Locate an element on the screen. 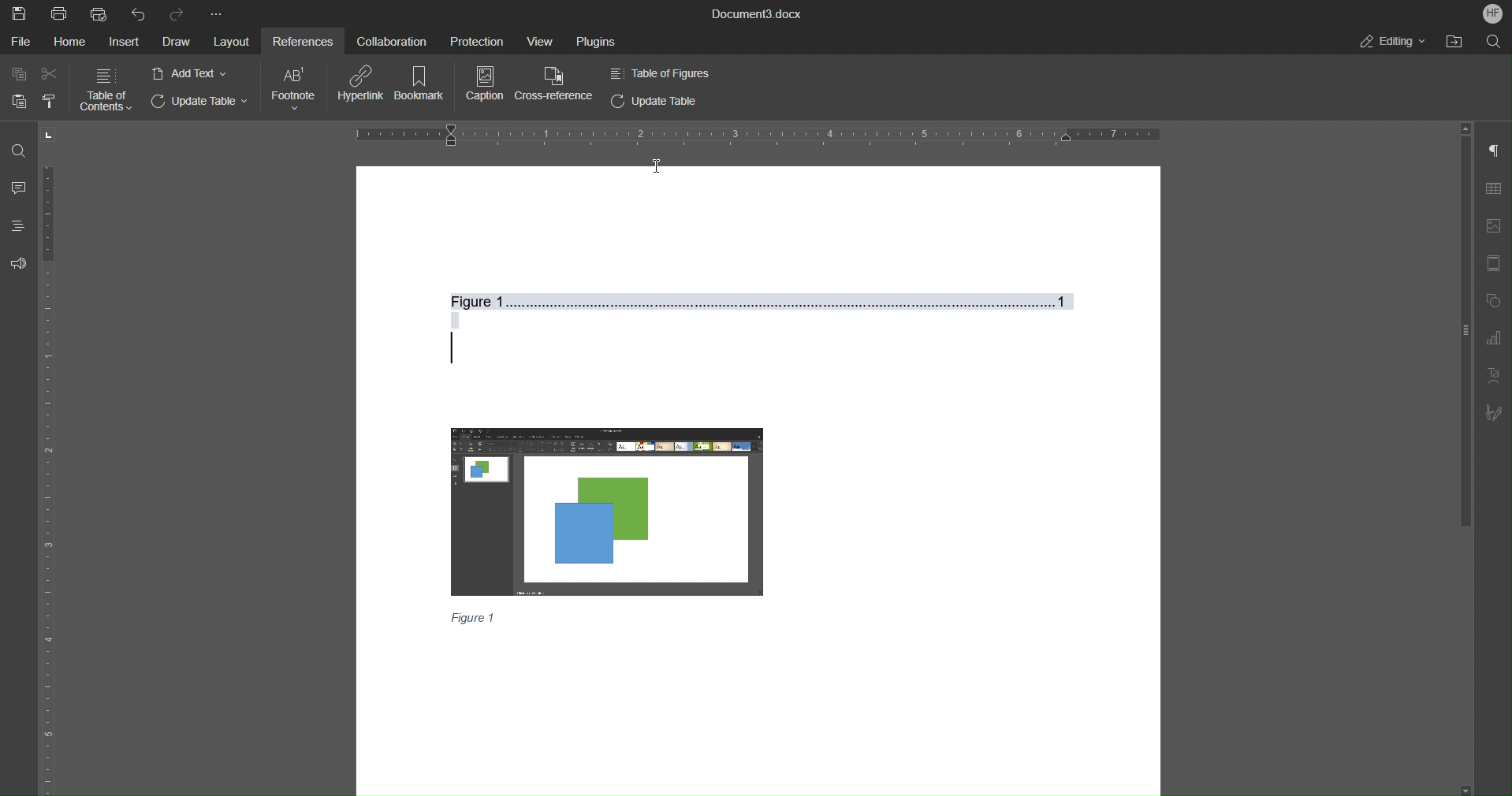 Image resolution: width=1512 pixels, height=796 pixels. Protection is located at coordinates (470, 39).